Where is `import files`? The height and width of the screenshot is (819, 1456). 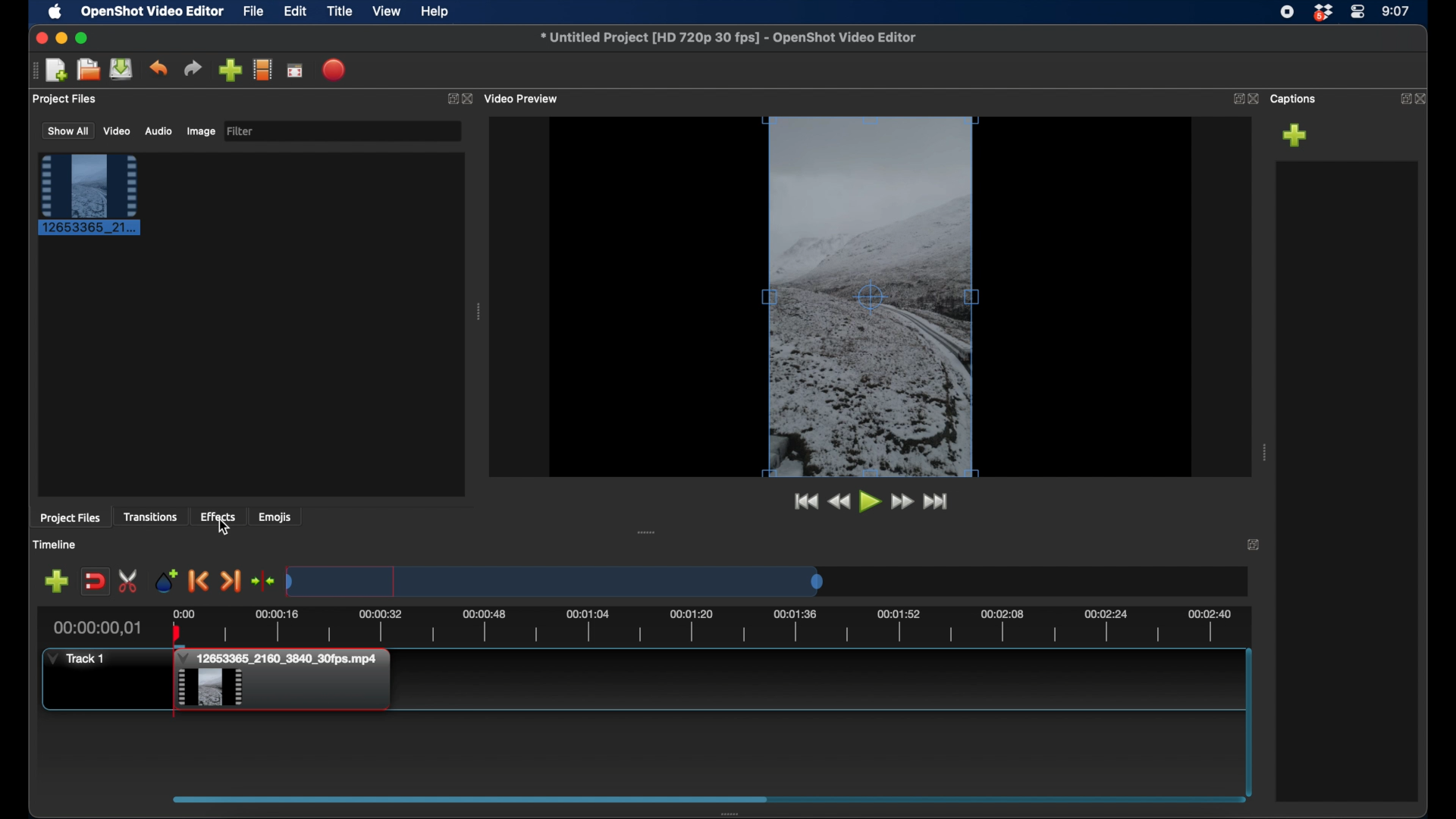 import files is located at coordinates (230, 70).